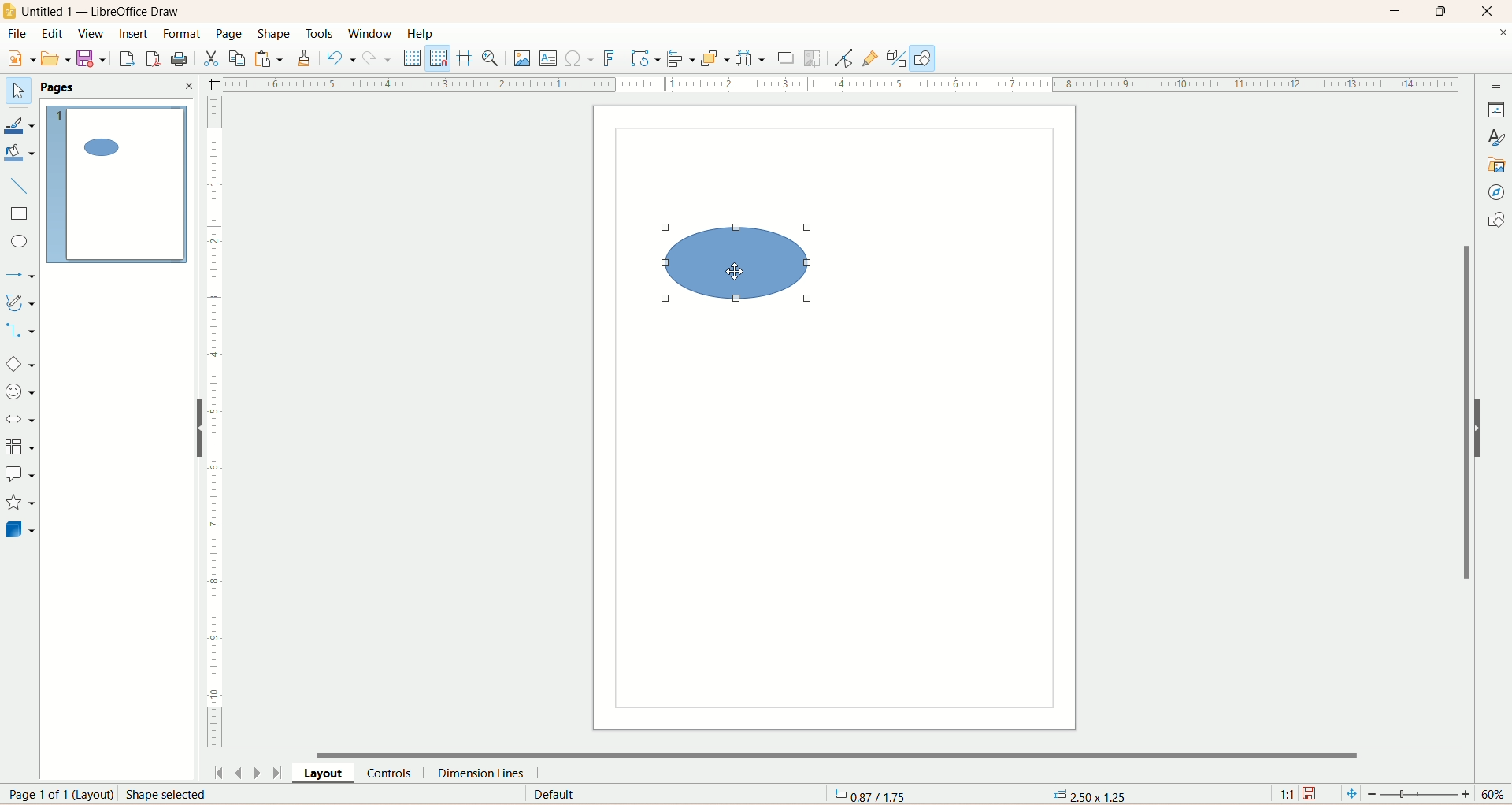 The image size is (1512, 805). Describe the element at coordinates (393, 773) in the screenshot. I see `controls` at that location.